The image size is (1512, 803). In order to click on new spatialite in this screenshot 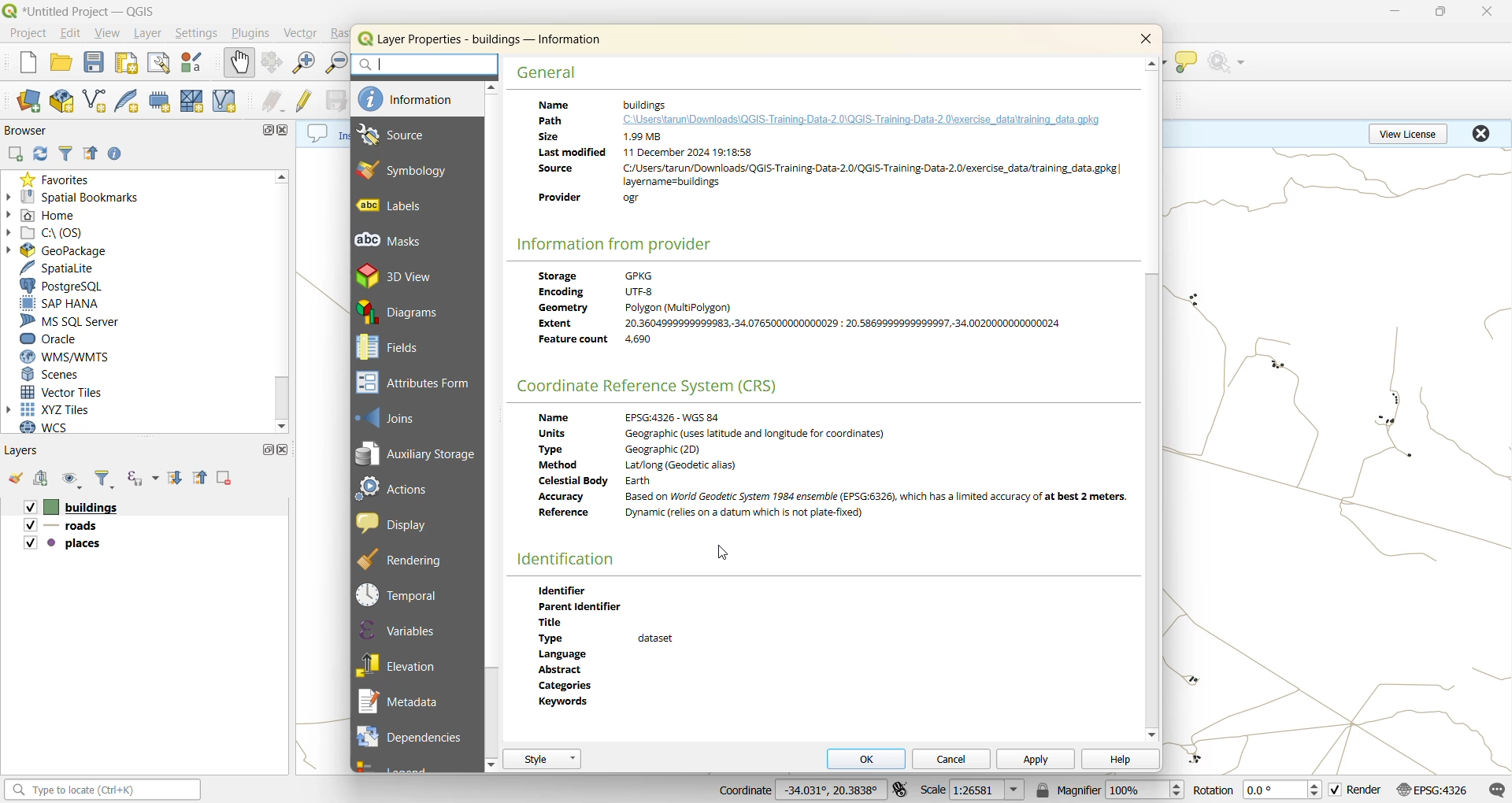, I will do `click(127, 101)`.